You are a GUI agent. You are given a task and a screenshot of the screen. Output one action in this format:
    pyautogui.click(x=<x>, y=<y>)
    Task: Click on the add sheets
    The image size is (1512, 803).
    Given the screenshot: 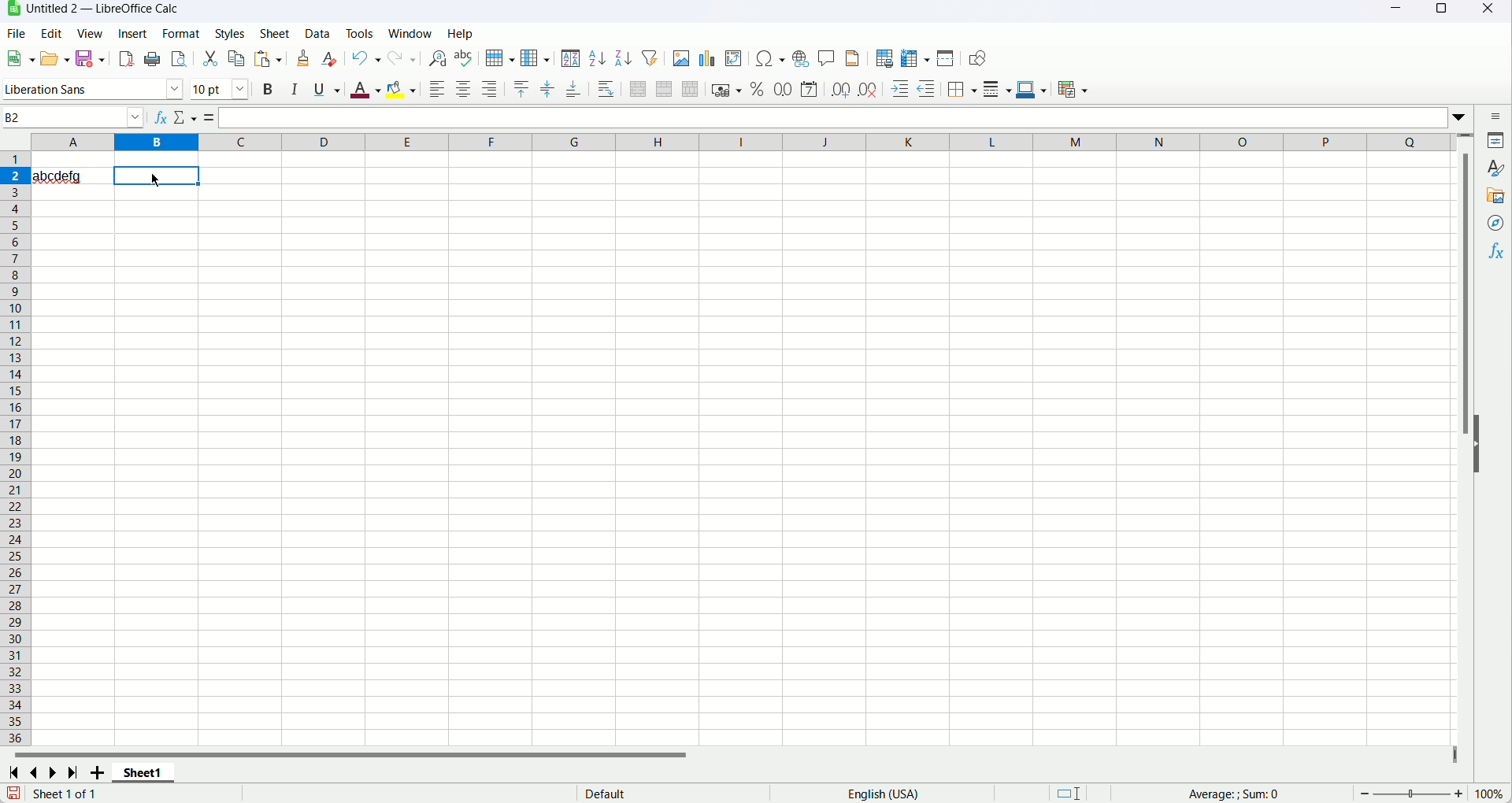 What is the action you would take?
    pyautogui.click(x=95, y=771)
    